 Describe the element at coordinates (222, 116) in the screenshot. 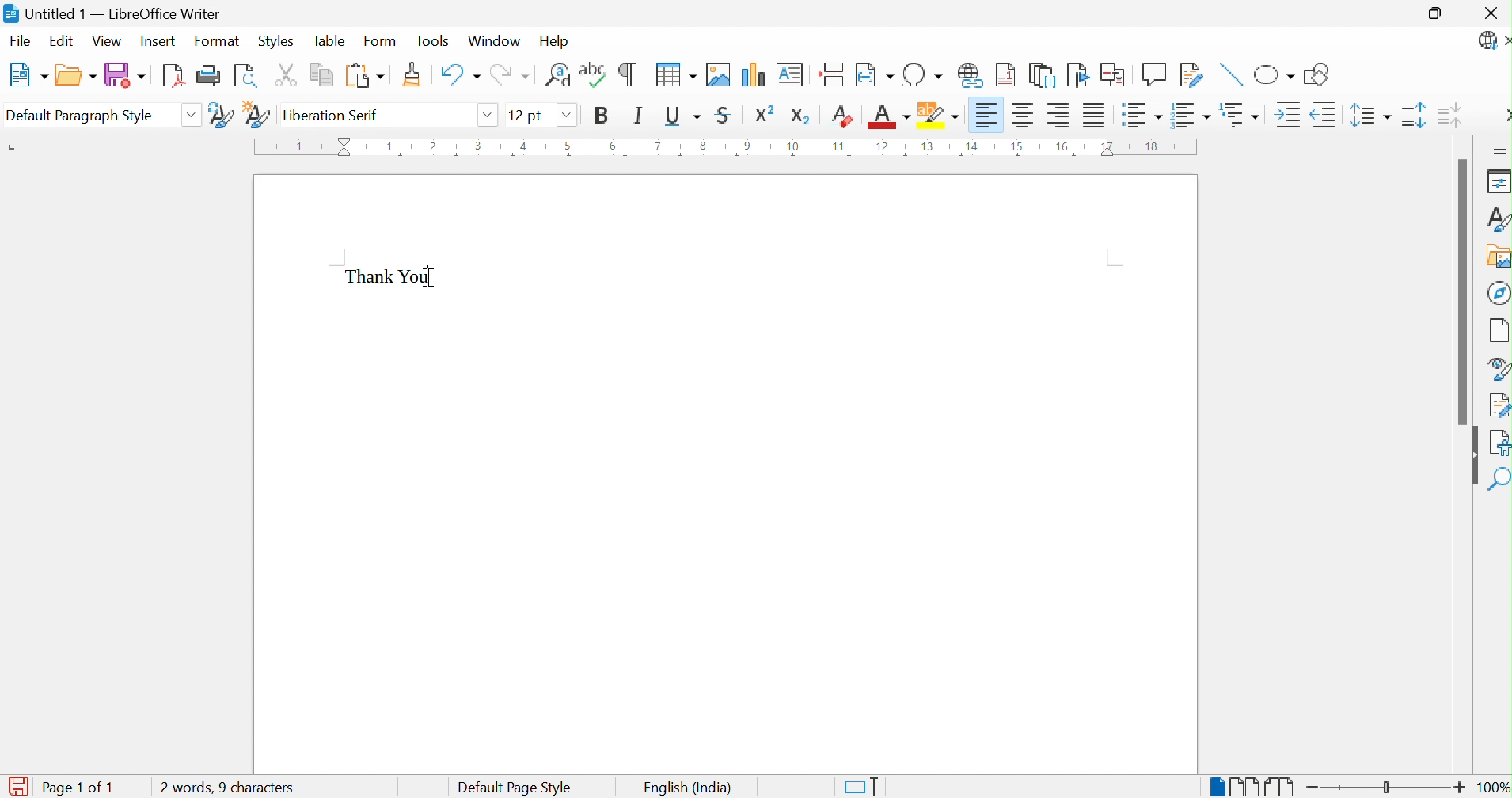

I see `Update Selected Style` at that location.